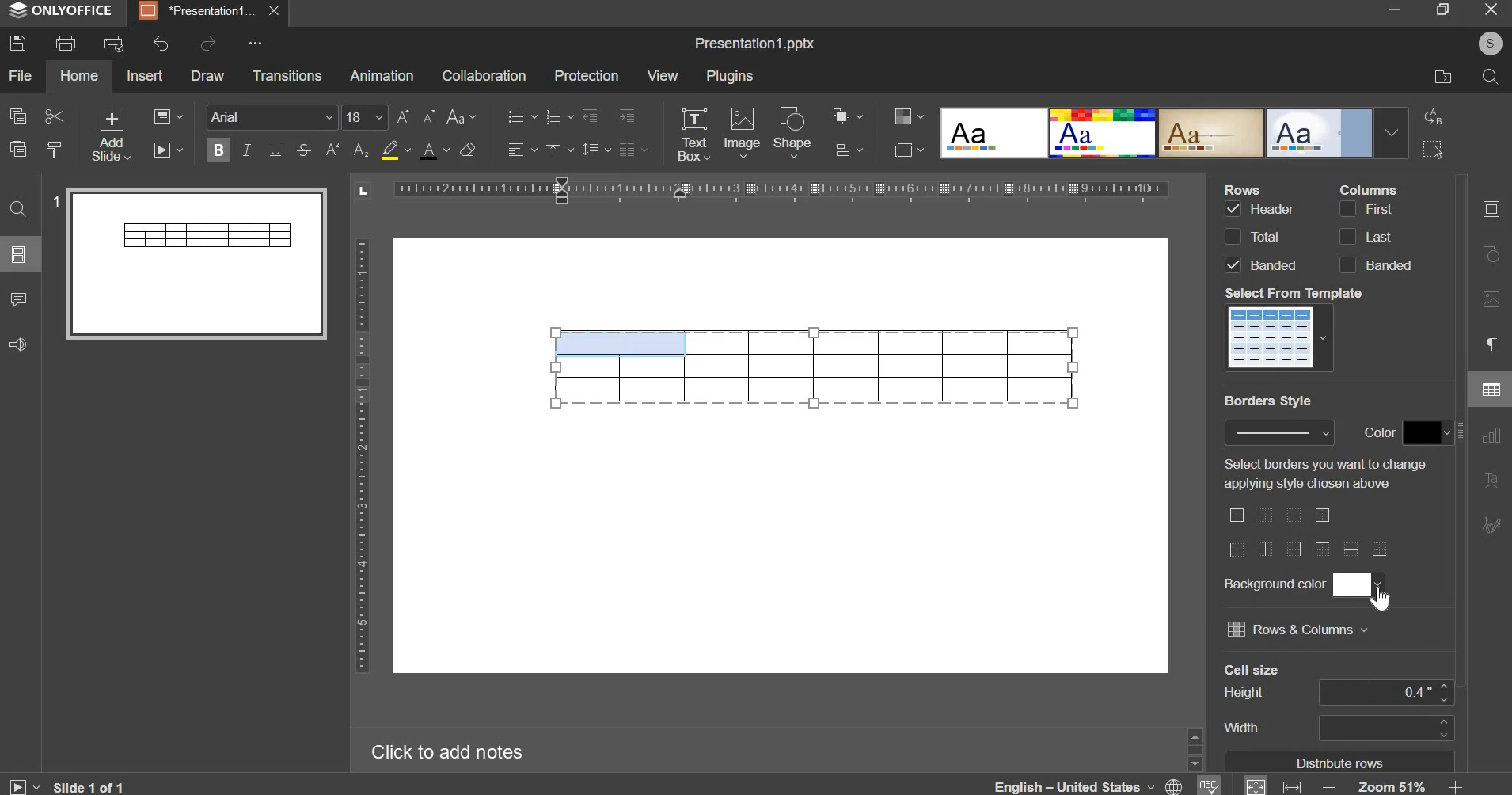  I want to click on clear style, so click(467, 149).